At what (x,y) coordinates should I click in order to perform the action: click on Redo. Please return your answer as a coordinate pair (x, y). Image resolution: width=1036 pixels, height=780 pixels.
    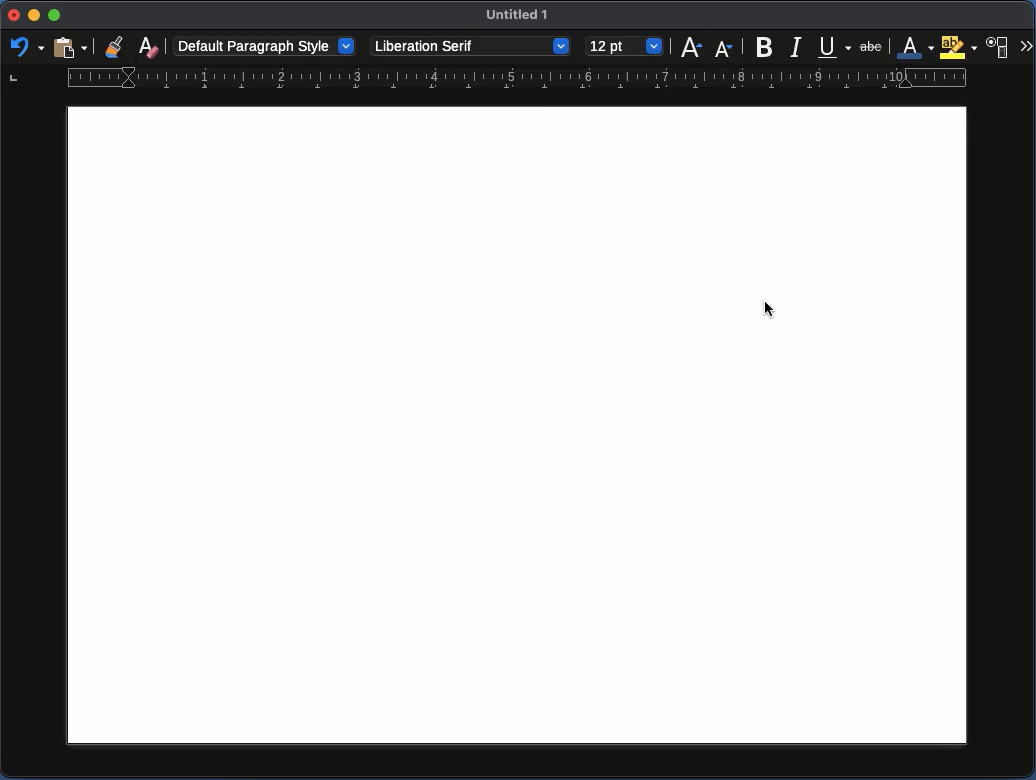
    Looking at the image, I should click on (23, 49).